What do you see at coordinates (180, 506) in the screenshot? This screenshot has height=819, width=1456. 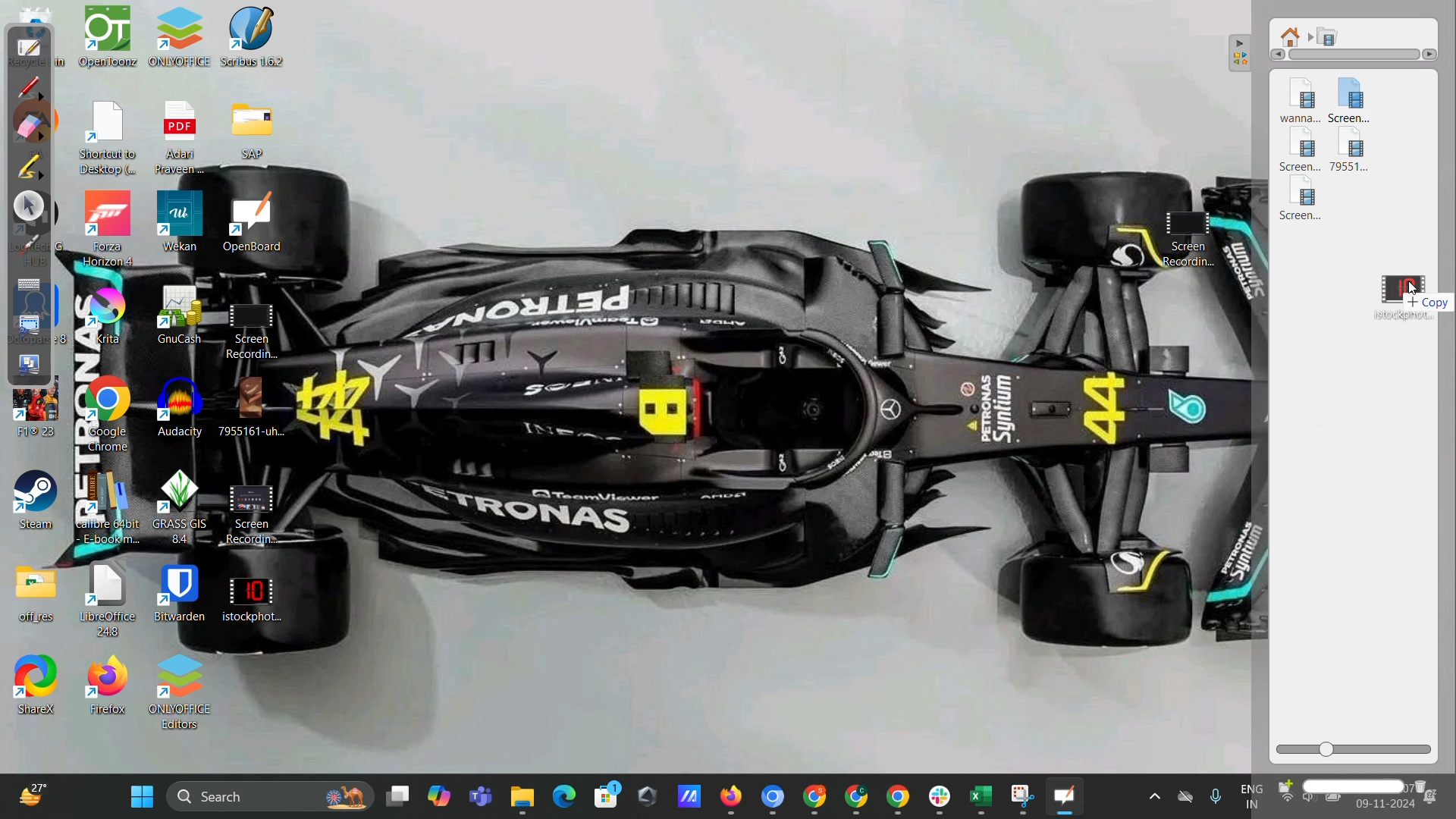 I see `Grass GIS B.4` at bounding box center [180, 506].